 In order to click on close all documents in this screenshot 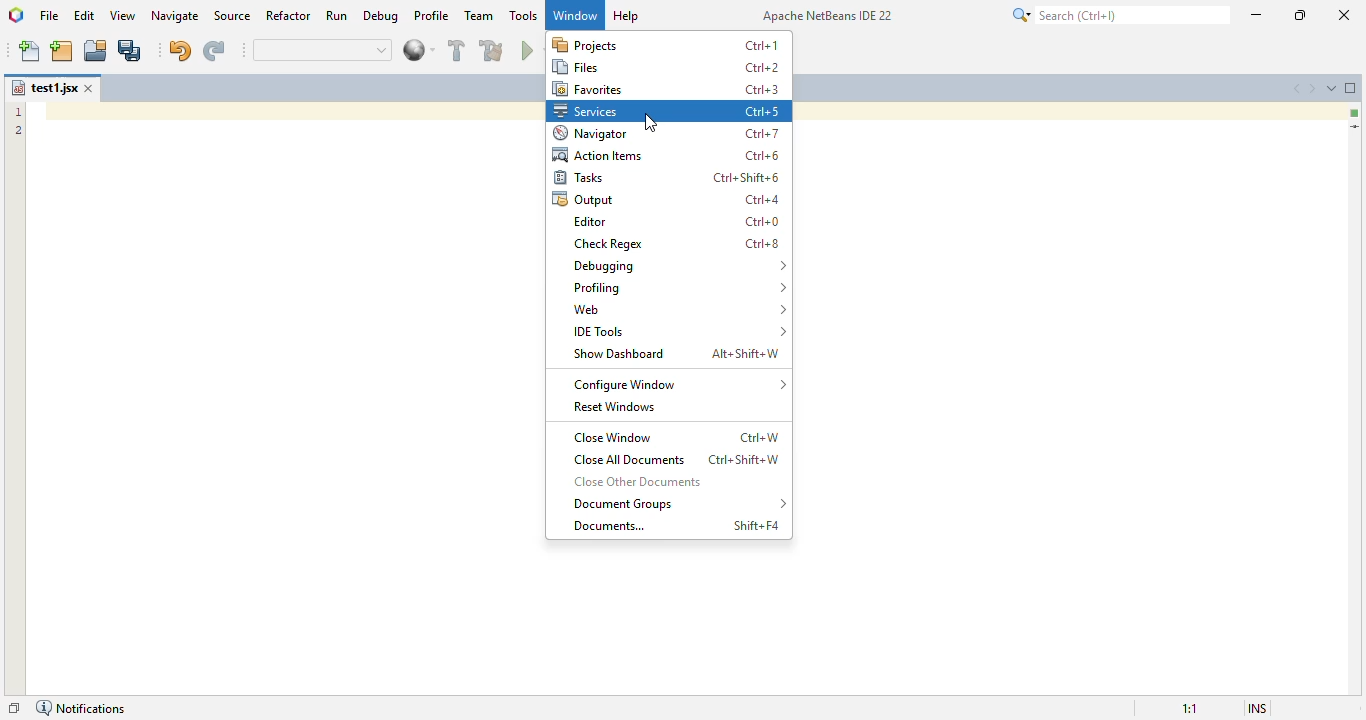, I will do `click(628, 459)`.